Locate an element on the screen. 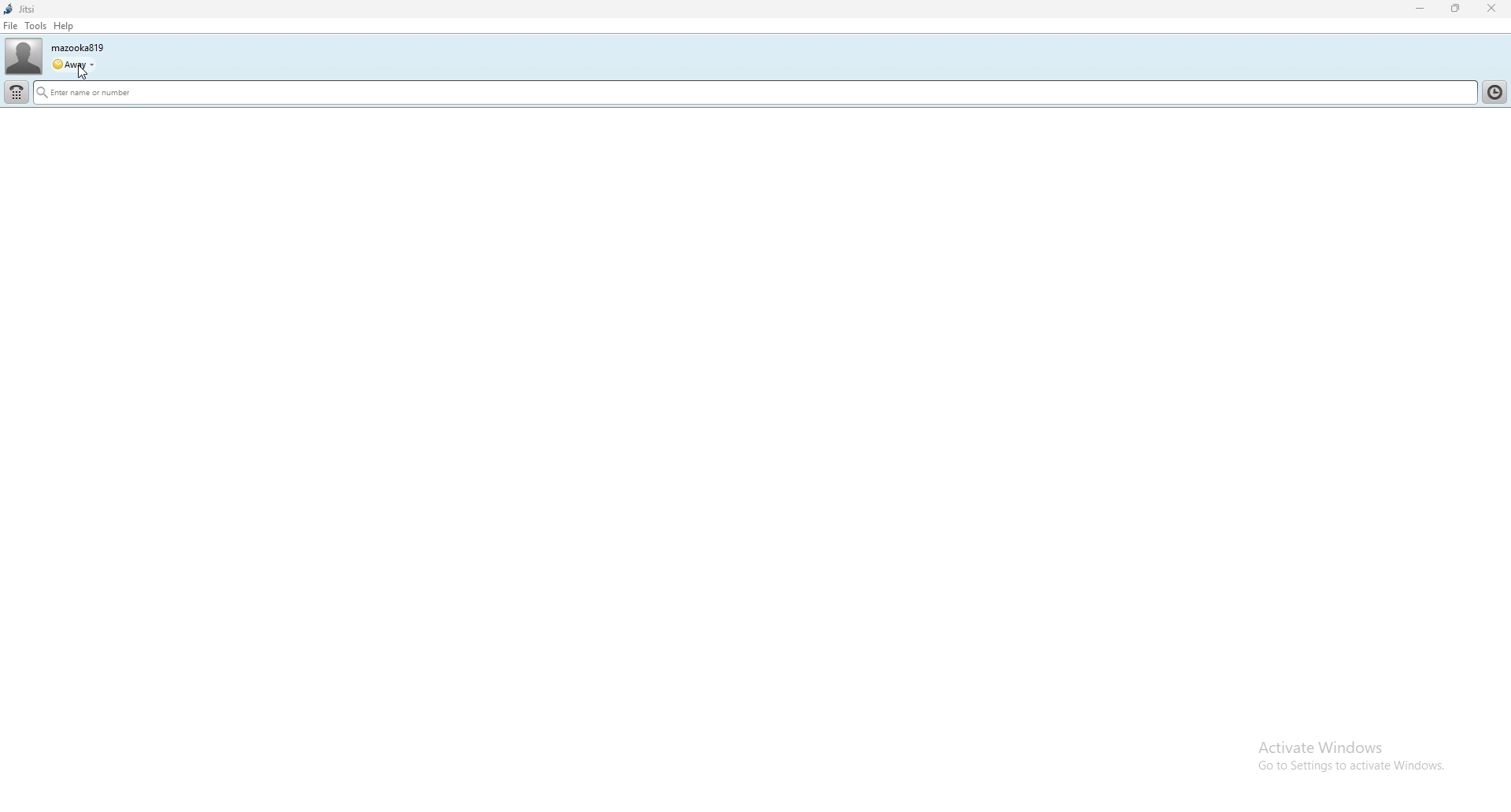 This screenshot has height=812, width=1511. user photo is located at coordinates (24, 57).